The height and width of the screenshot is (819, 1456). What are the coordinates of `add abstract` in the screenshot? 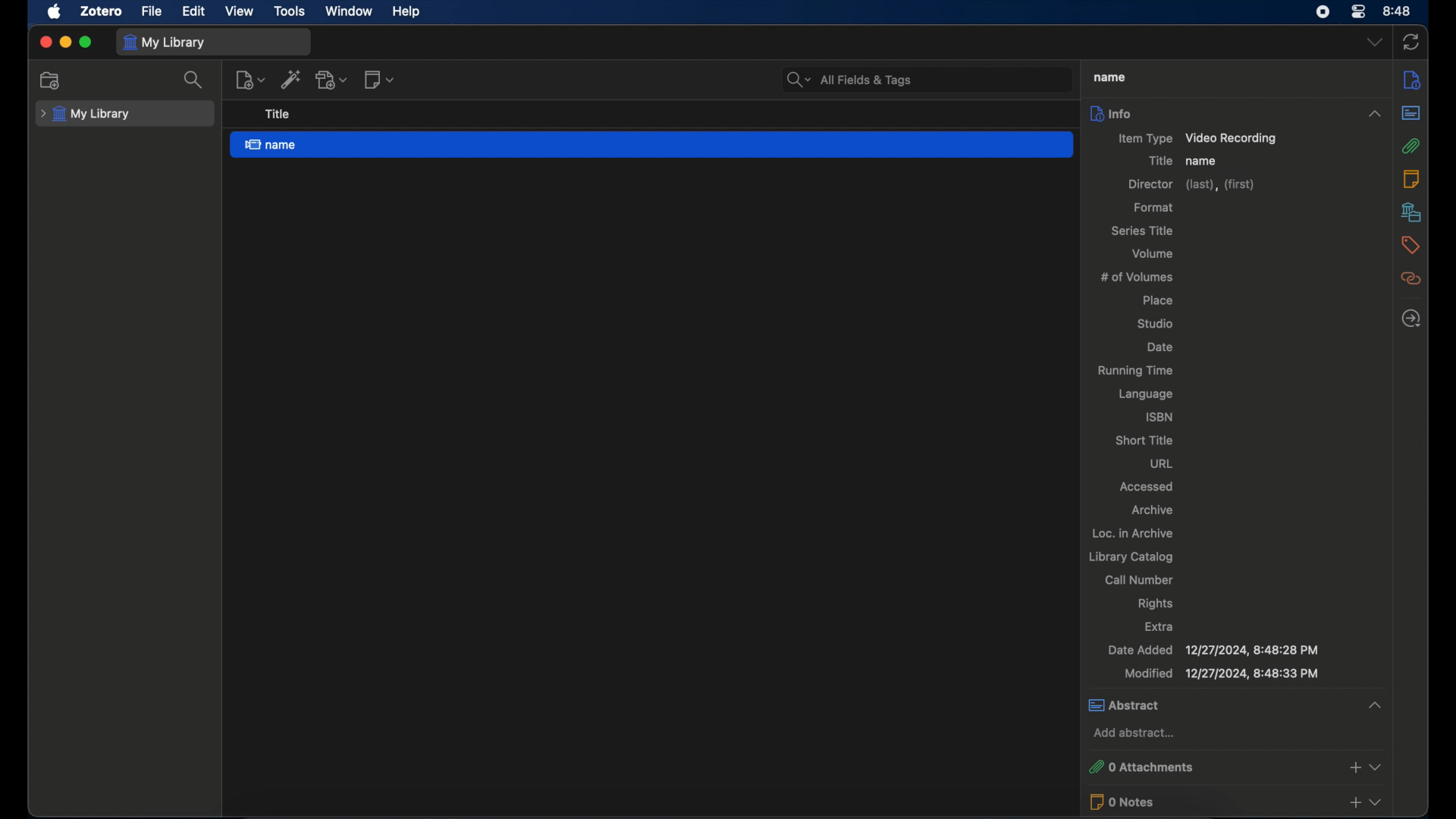 It's located at (1134, 733).